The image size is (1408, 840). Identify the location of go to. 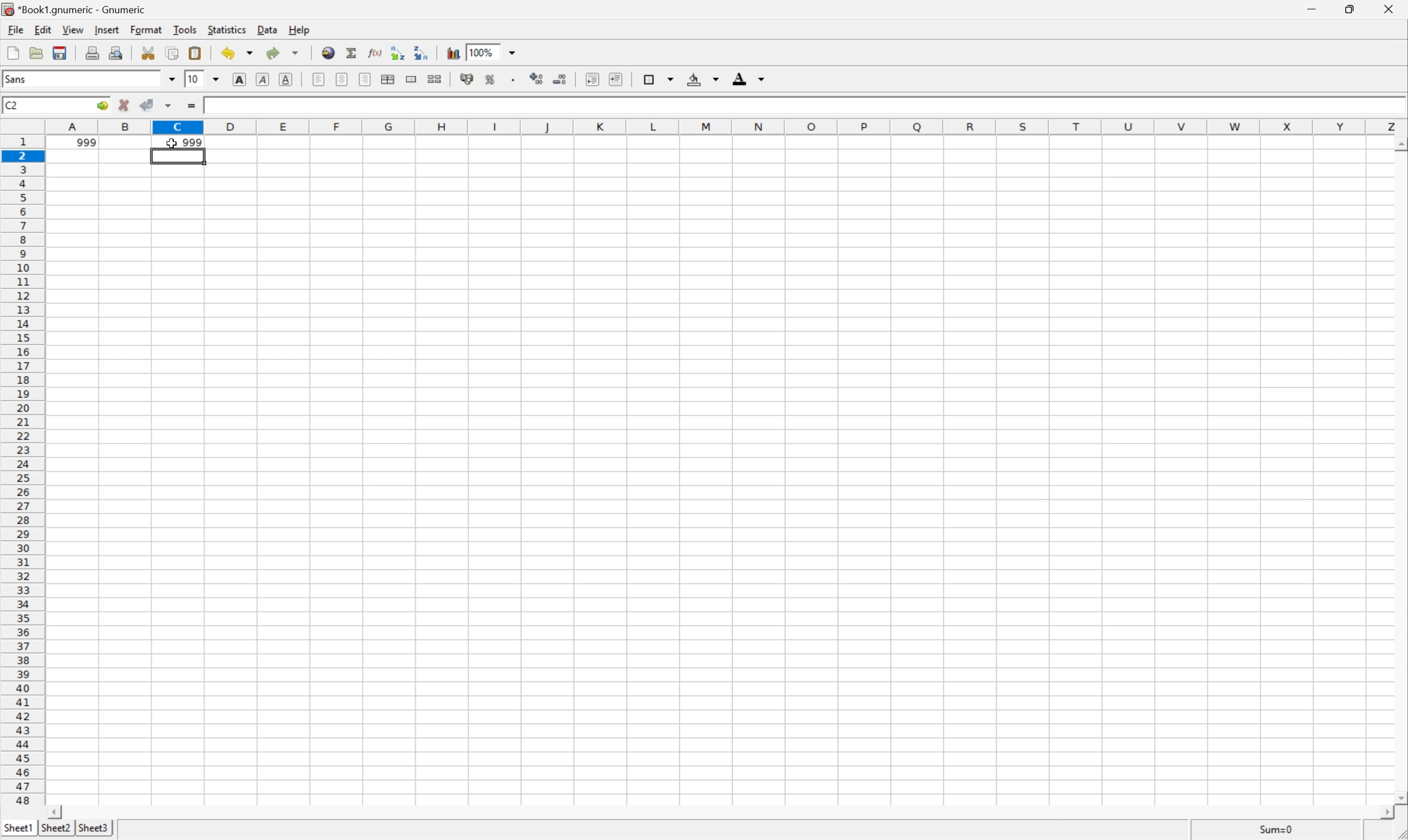
(101, 103).